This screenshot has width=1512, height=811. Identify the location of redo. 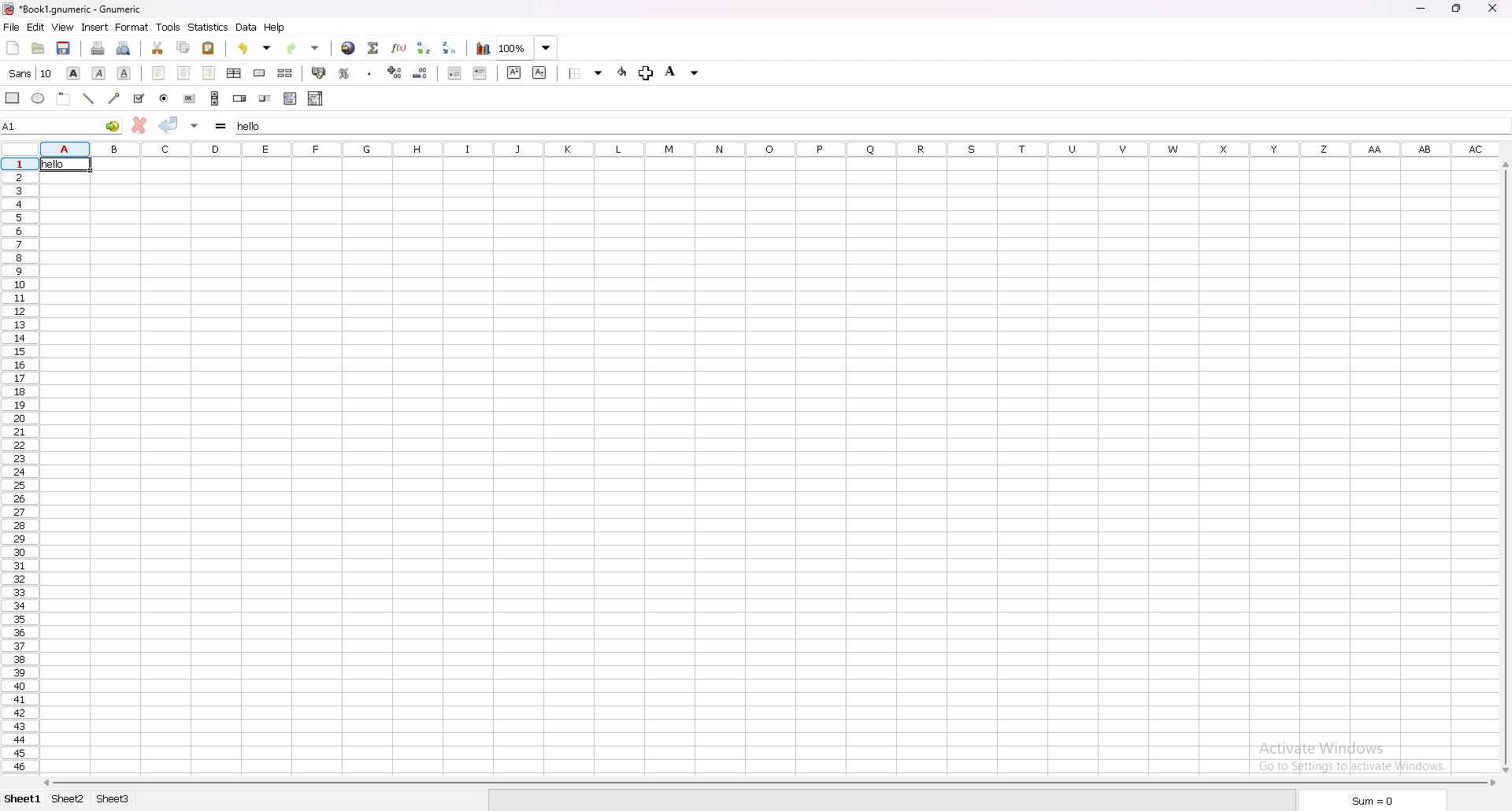
(302, 48).